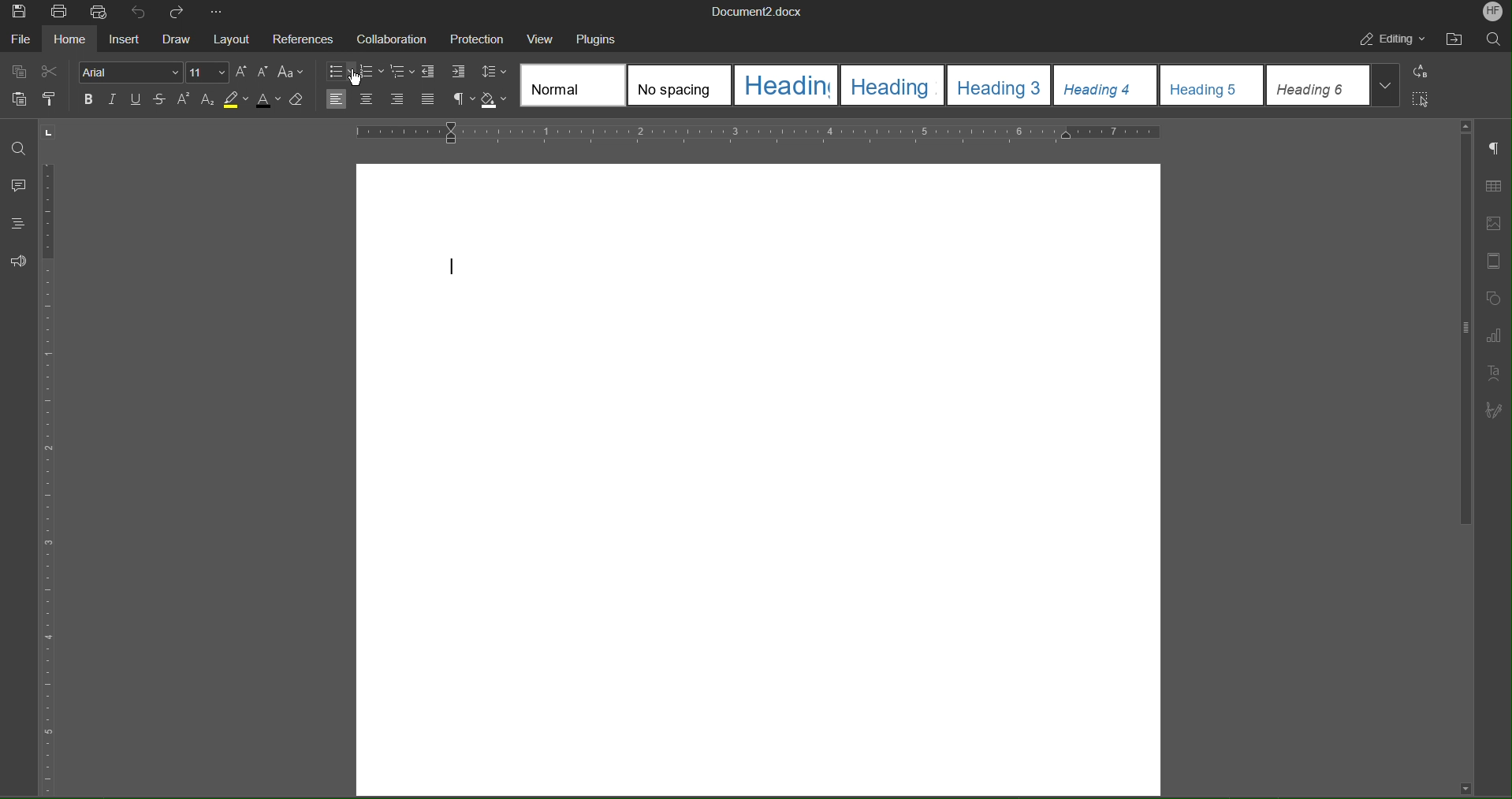  Describe the element at coordinates (1492, 222) in the screenshot. I see `Image Settings` at that location.